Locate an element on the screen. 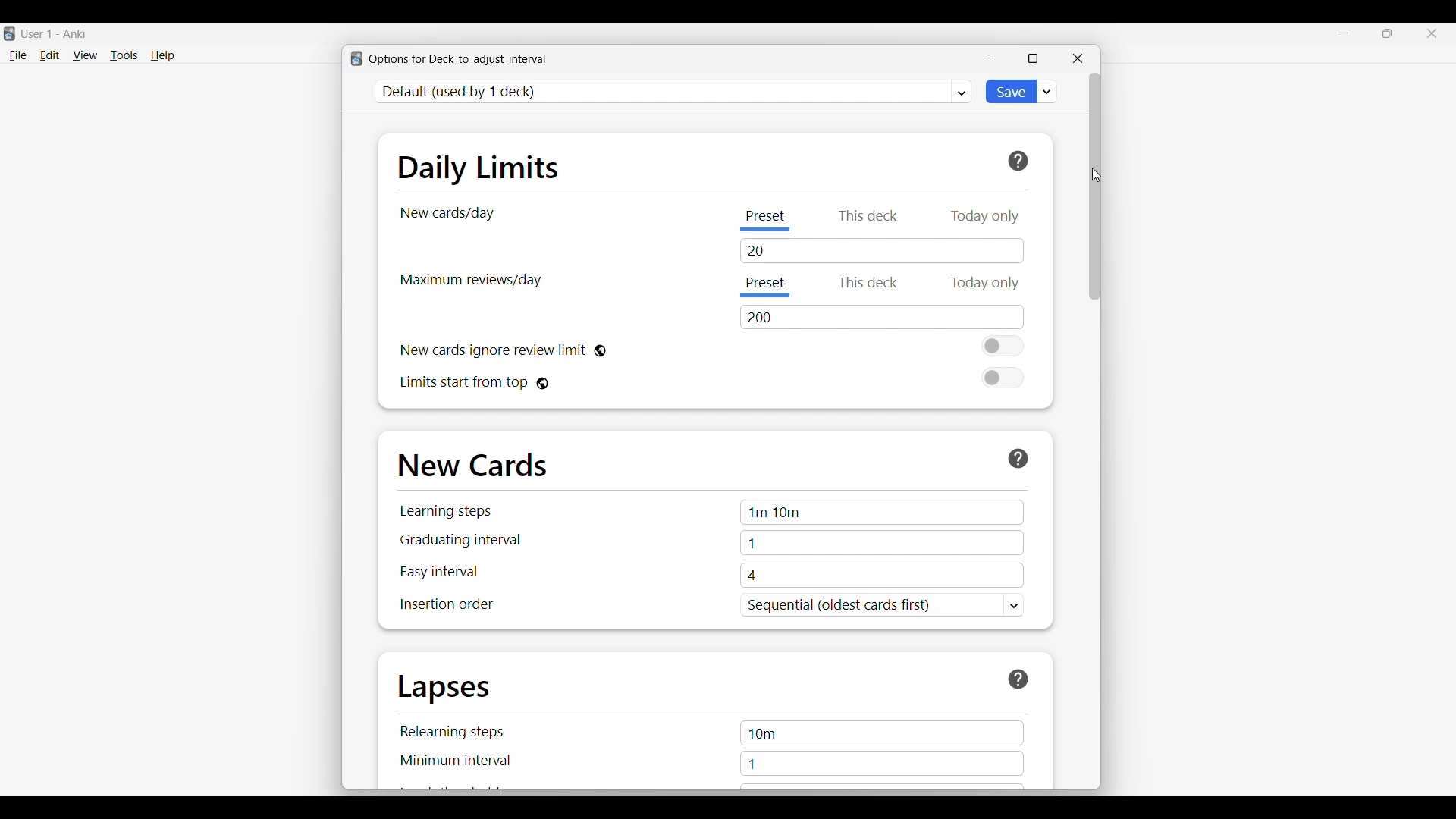  New Cards is located at coordinates (472, 465).